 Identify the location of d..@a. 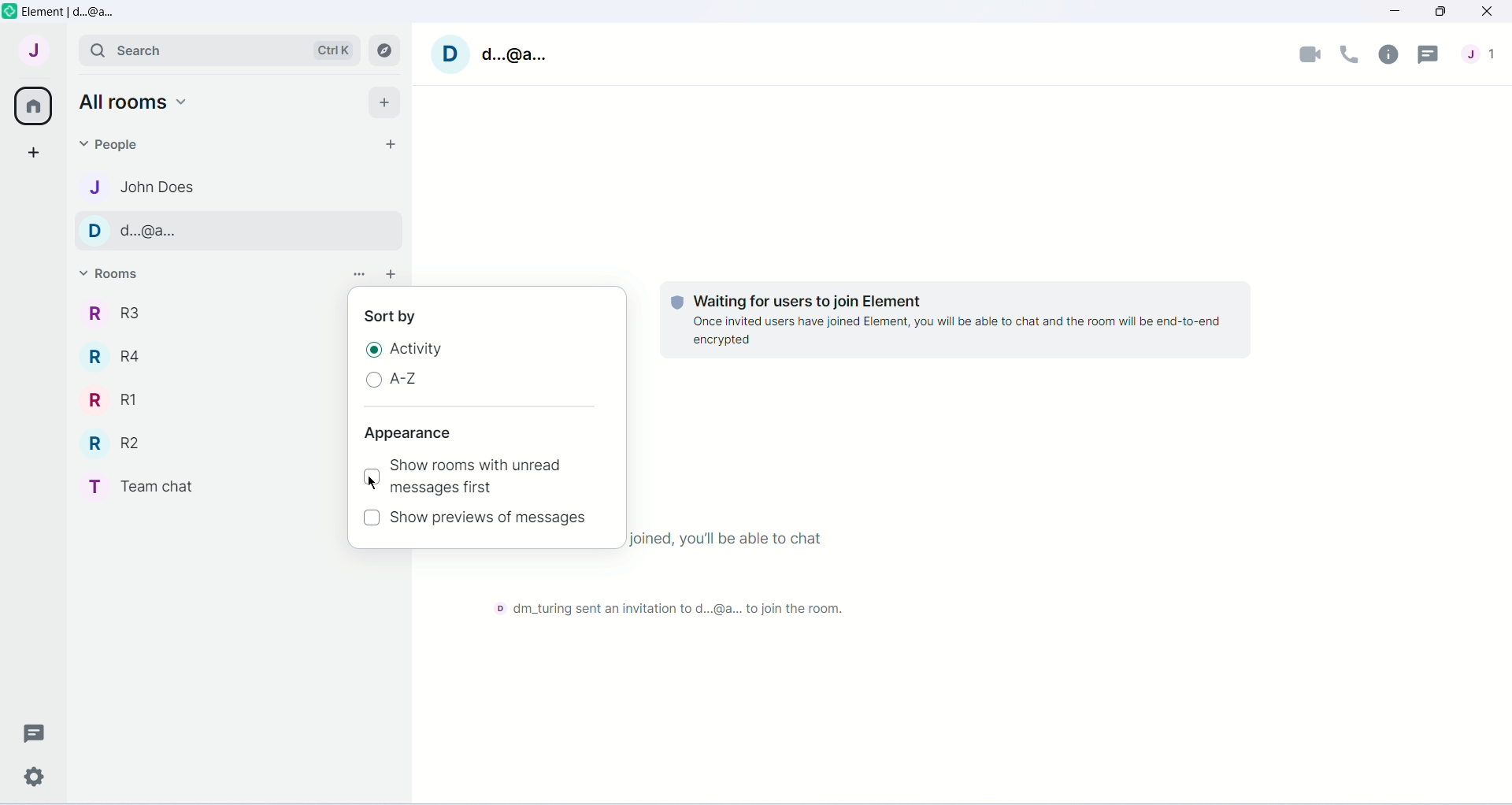
(151, 232).